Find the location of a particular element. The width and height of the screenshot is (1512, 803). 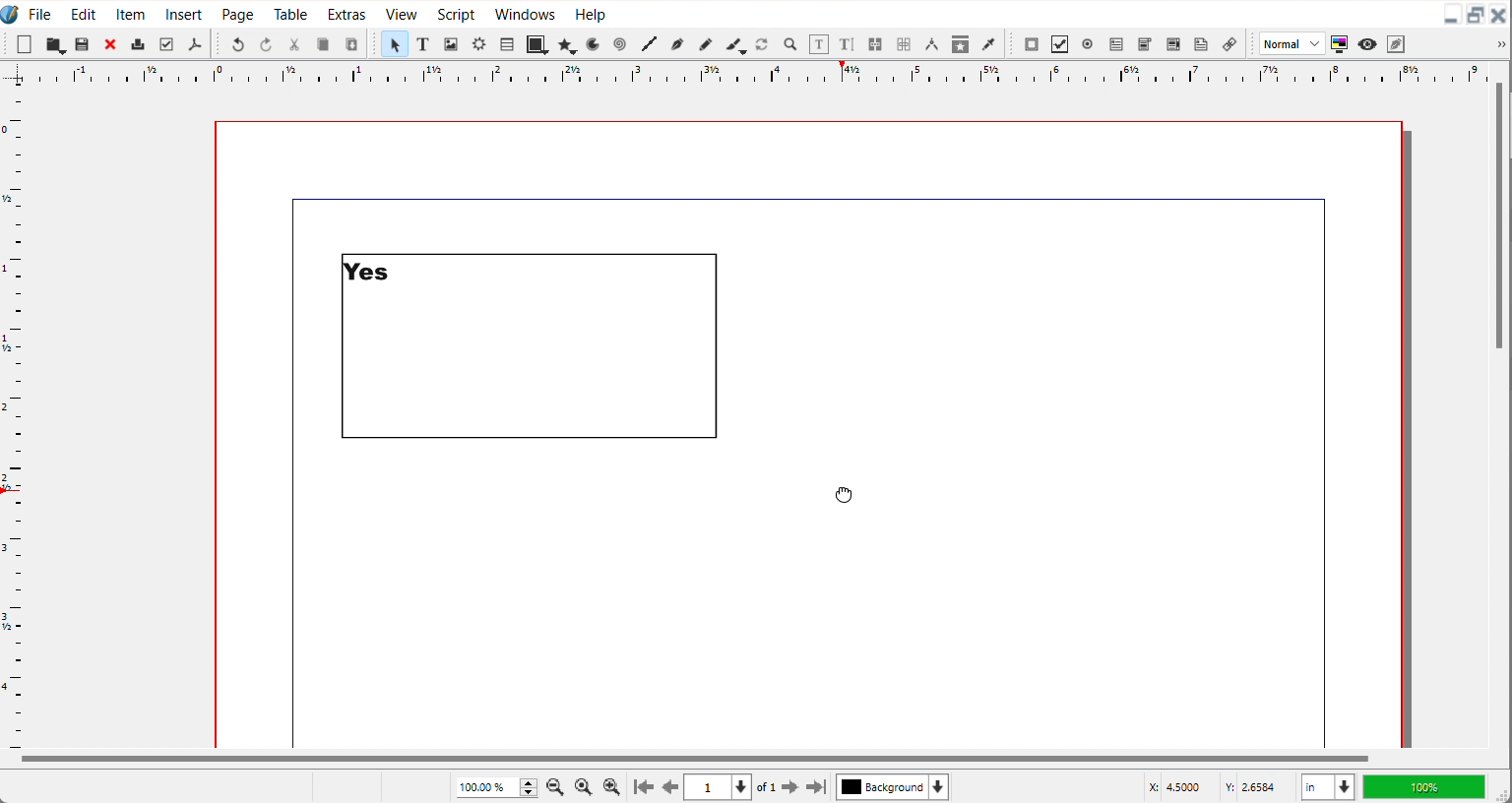

Zoom In is located at coordinates (612, 786).